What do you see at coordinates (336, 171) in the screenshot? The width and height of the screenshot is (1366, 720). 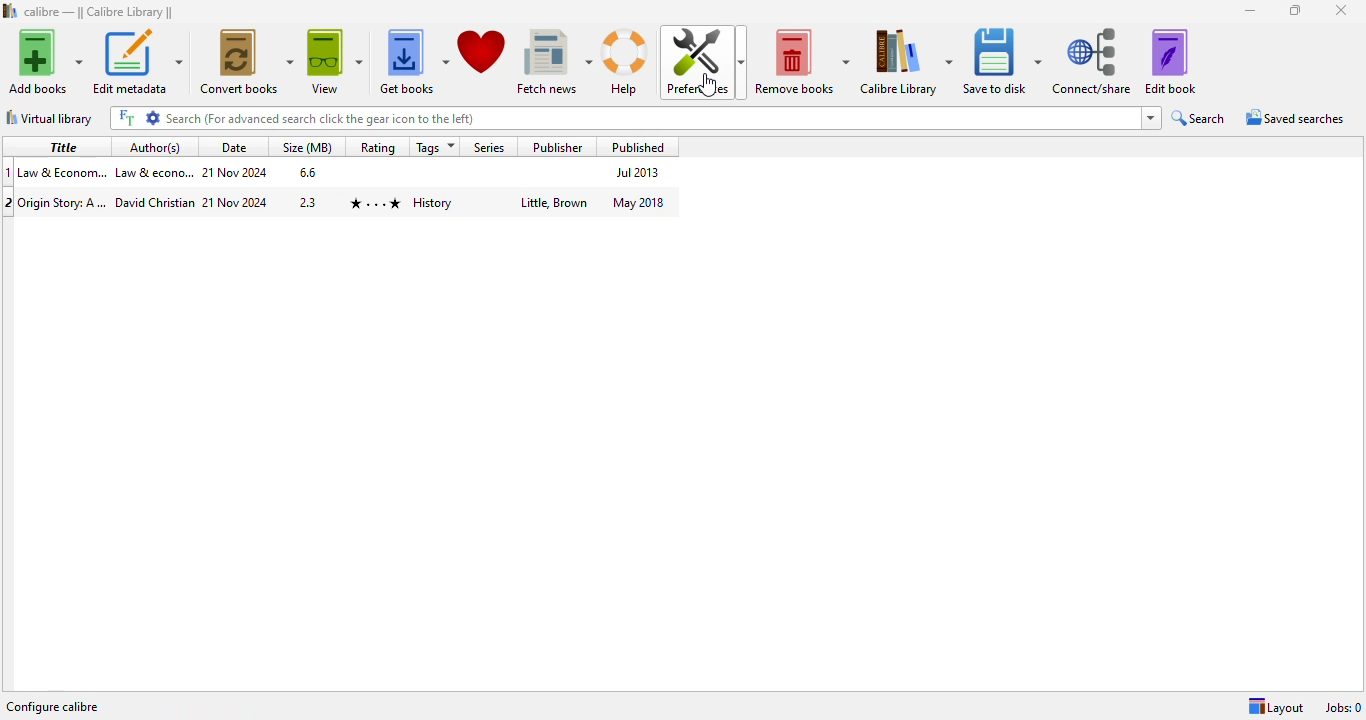 I see `book 1` at bounding box center [336, 171].